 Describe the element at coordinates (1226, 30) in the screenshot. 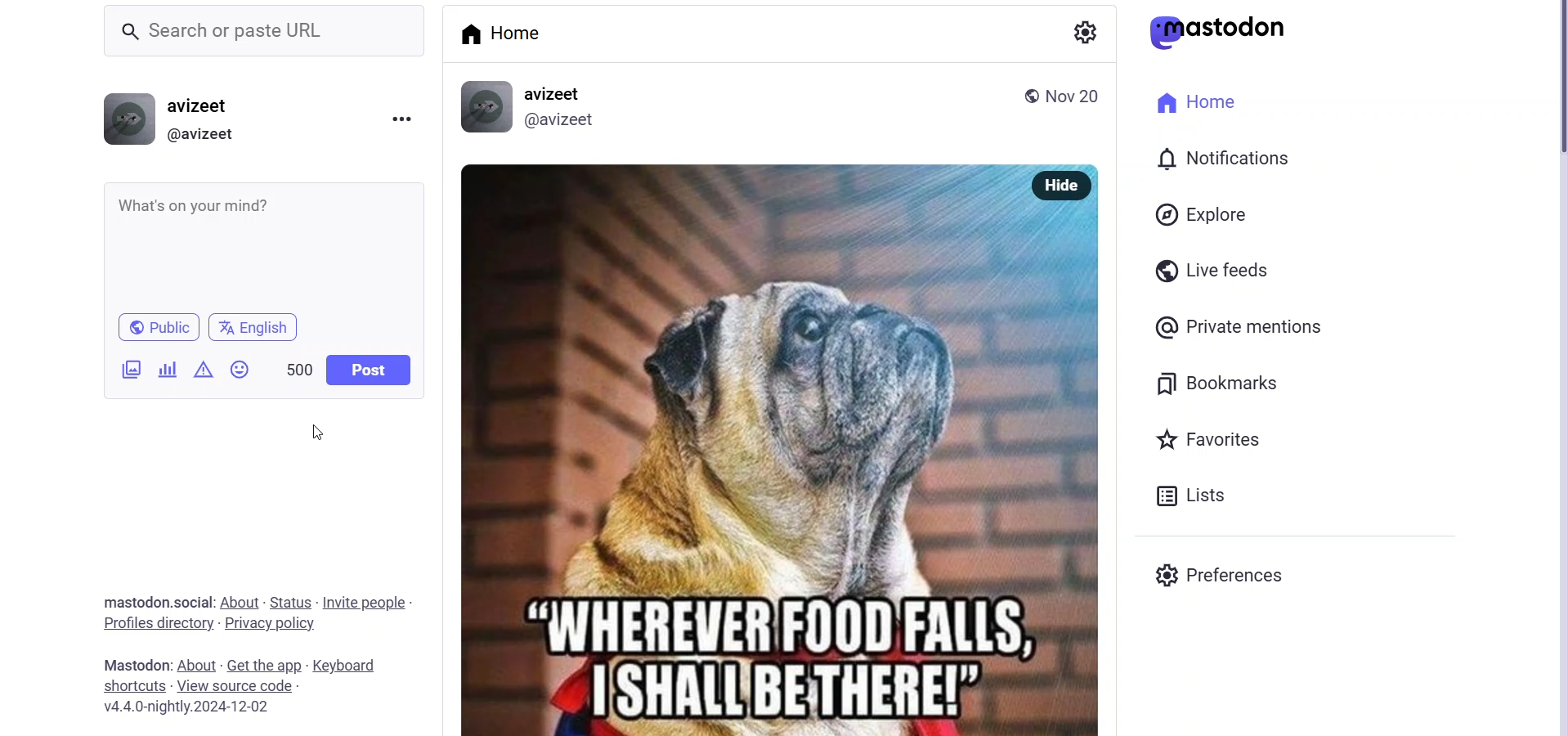

I see `mastodon ` at that location.